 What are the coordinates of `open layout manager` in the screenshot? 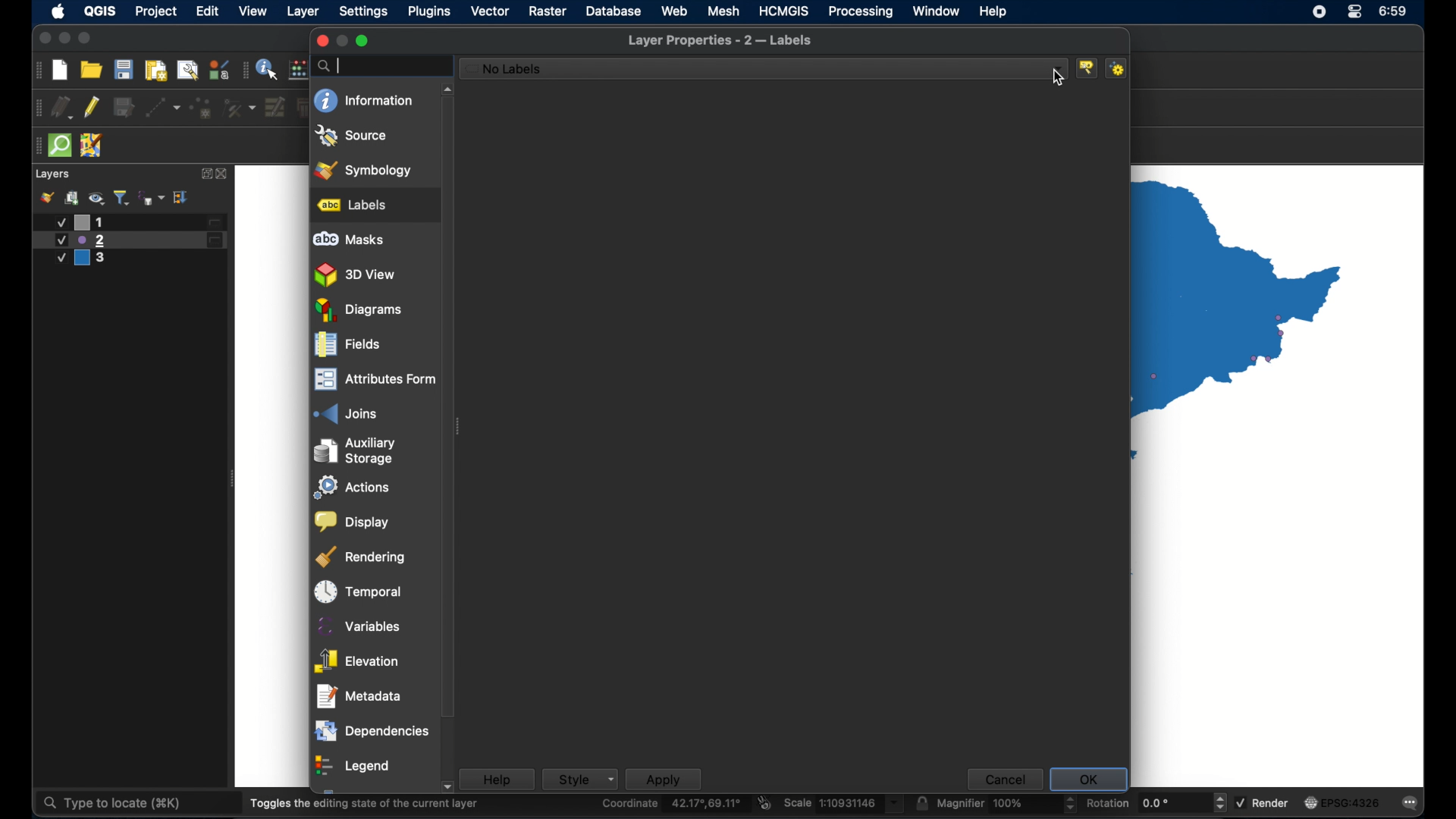 It's located at (187, 71).